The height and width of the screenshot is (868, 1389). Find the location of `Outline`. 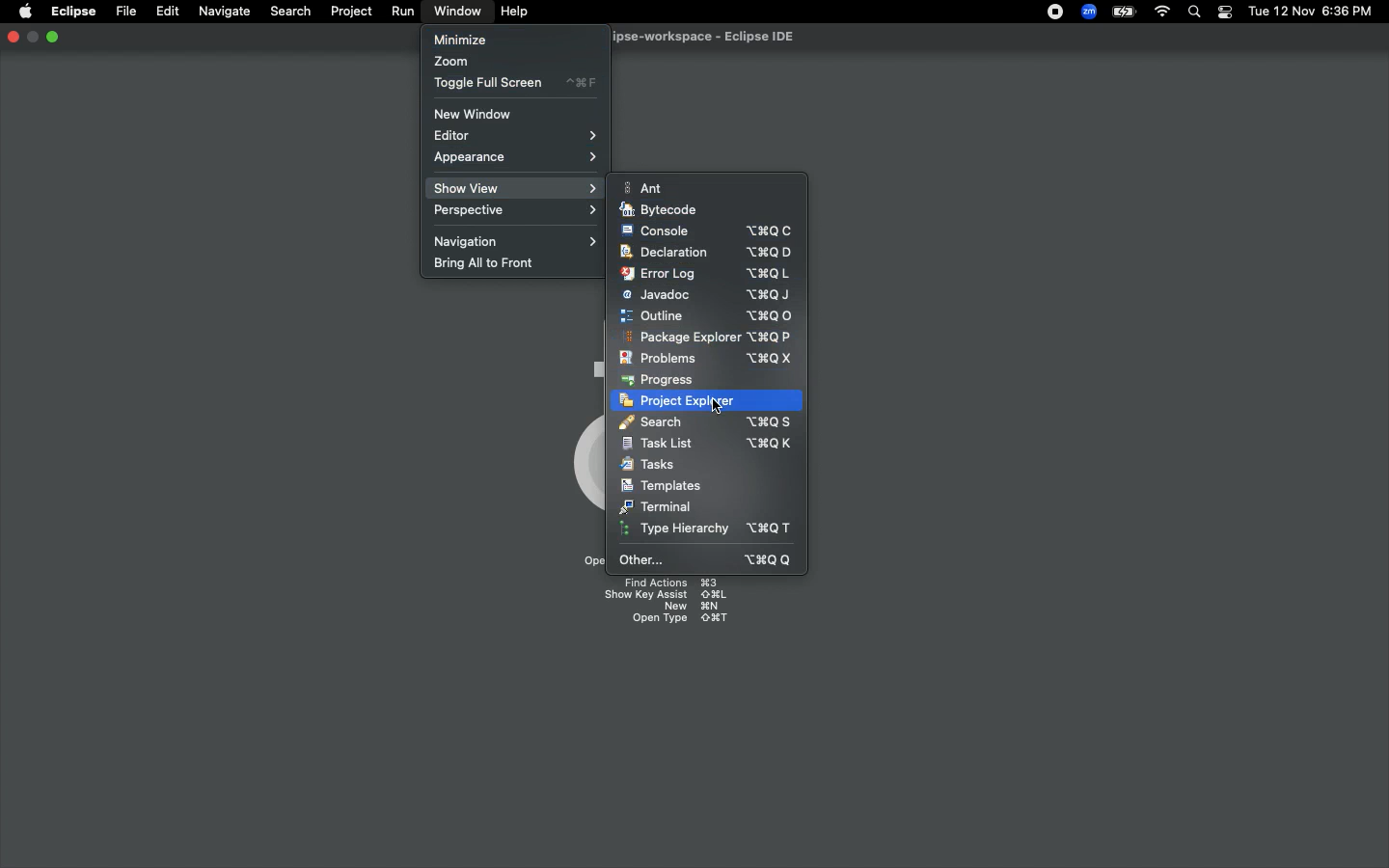

Outline is located at coordinates (706, 315).